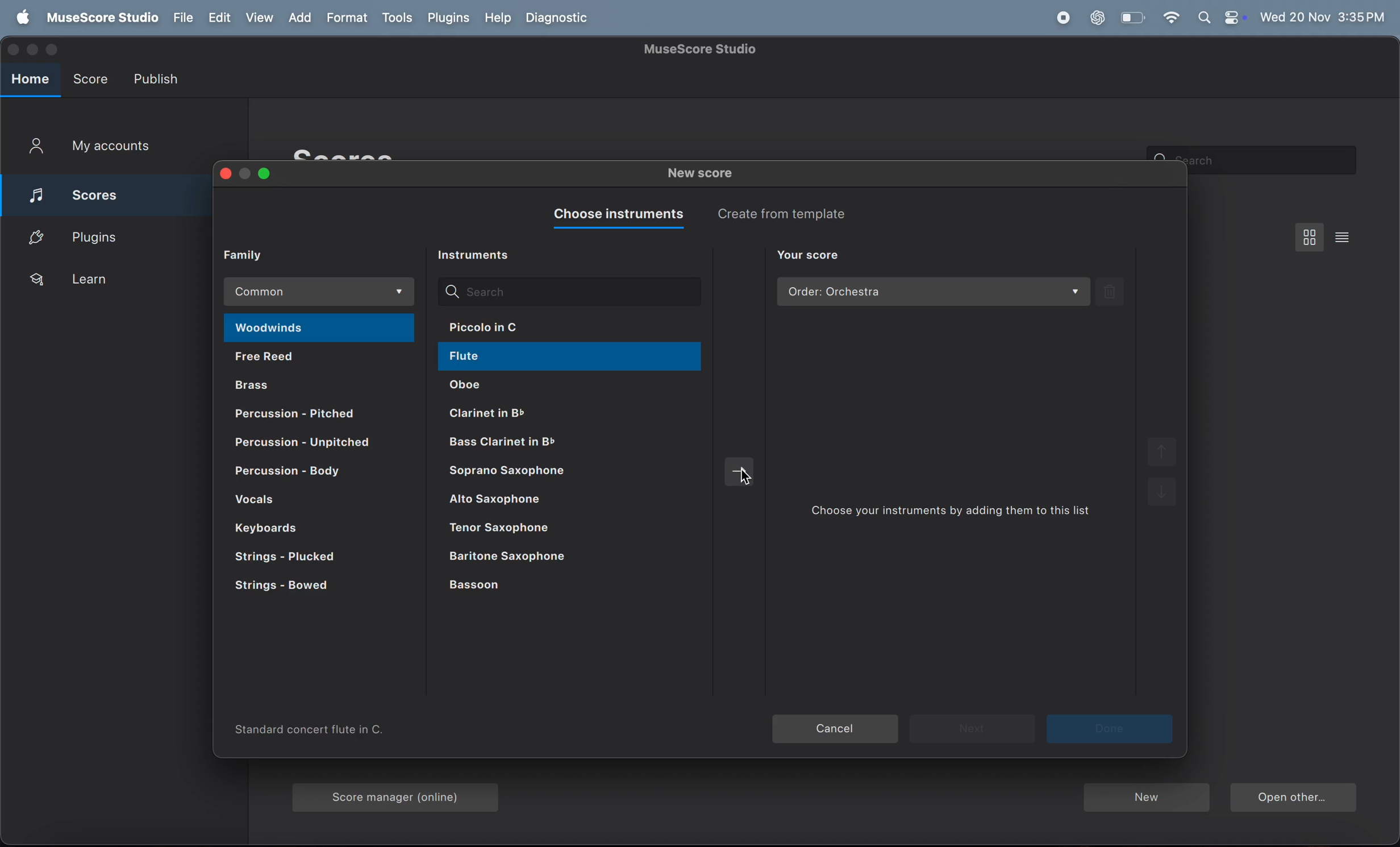 Image resolution: width=1400 pixels, height=847 pixels. What do you see at coordinates (95, 192) in the screenshot?
I see `score` at bounding box center [95, 192].